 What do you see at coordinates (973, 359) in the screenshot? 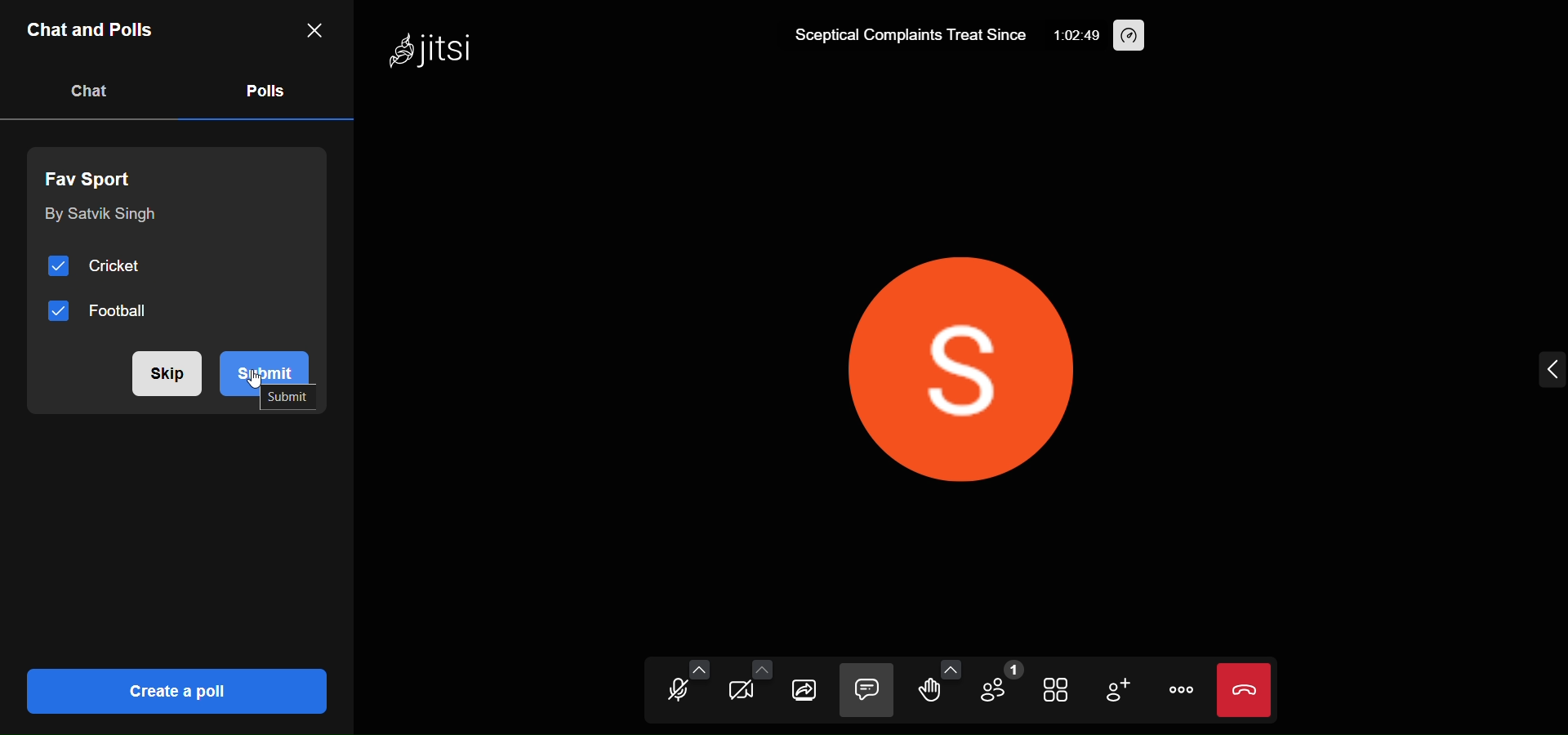
I see `display picture` at bounding box center [973, 359].